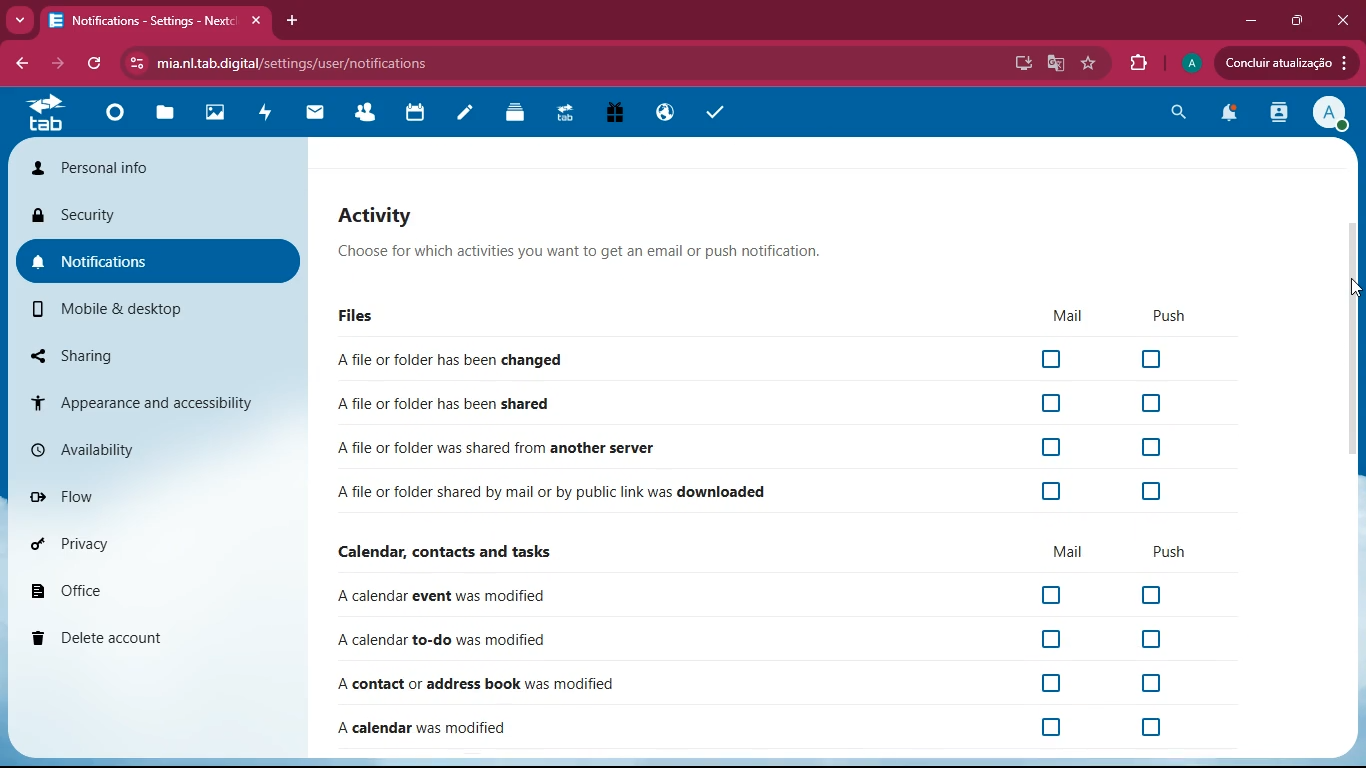 This screenshot has width=1366, height=768. What do you see at coordinates (1149, 593) in the screenshot?
I see `off` at bounding box center [1149, 593].